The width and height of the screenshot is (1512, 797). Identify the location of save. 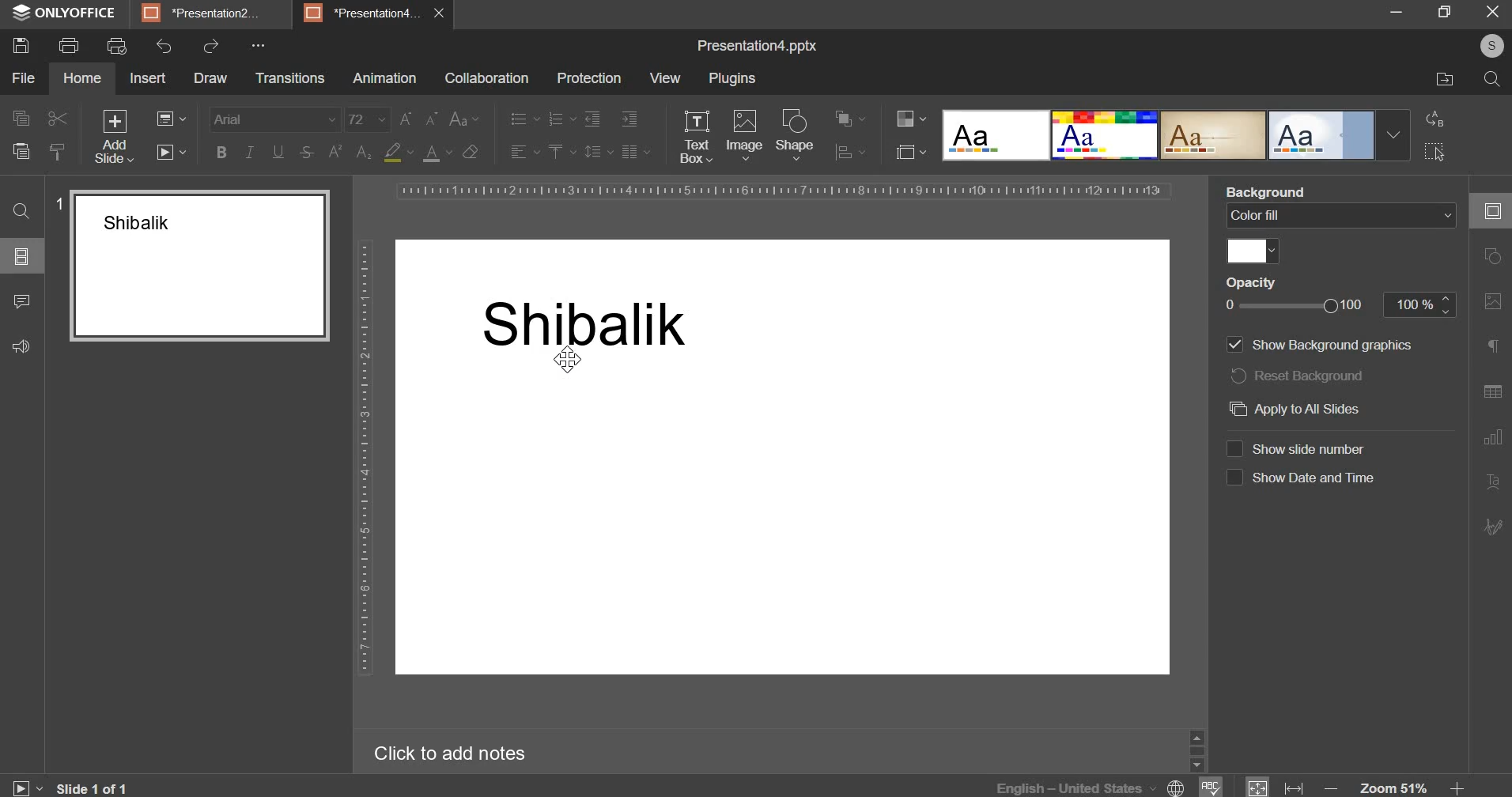
(20, 46).